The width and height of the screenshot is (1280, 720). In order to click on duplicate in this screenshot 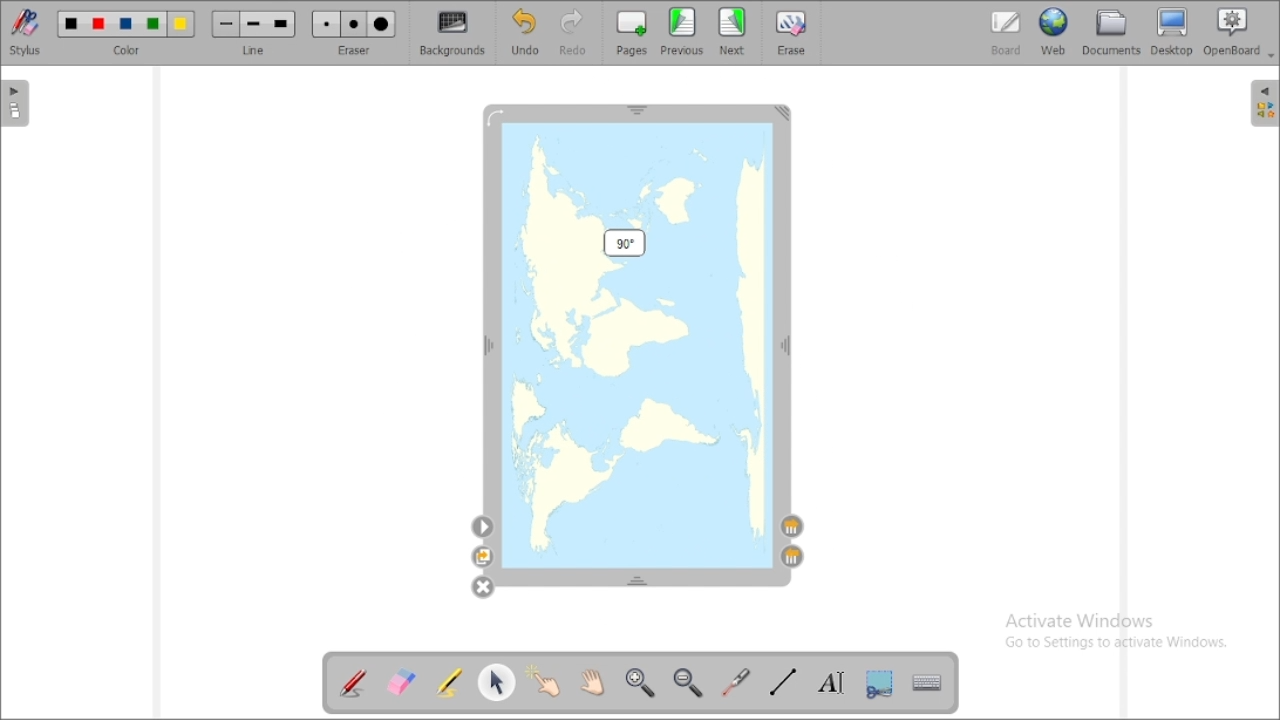, I will do `click(482, 557)`.